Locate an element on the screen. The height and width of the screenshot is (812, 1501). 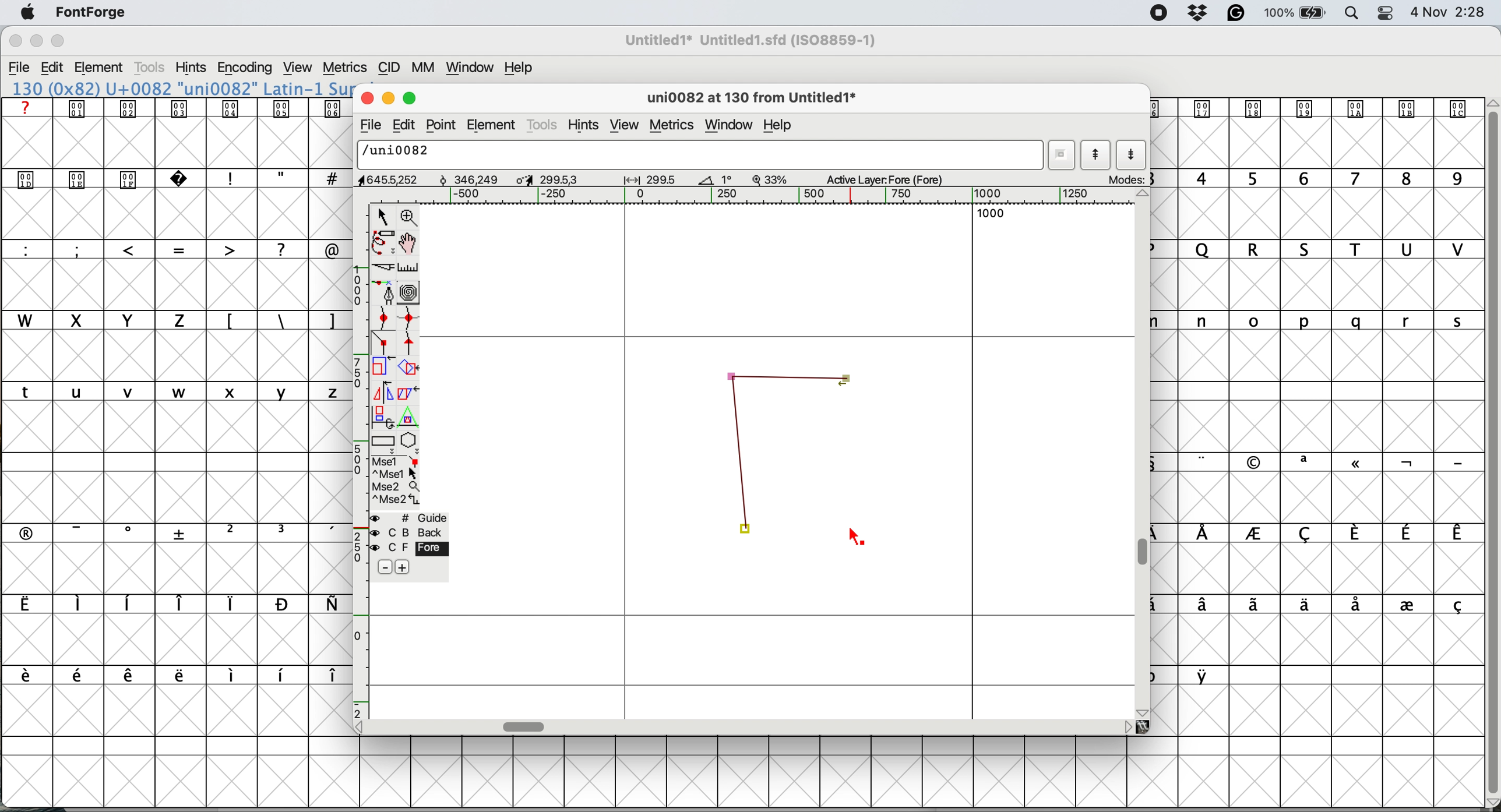
close is located at coordinates (365, 96).